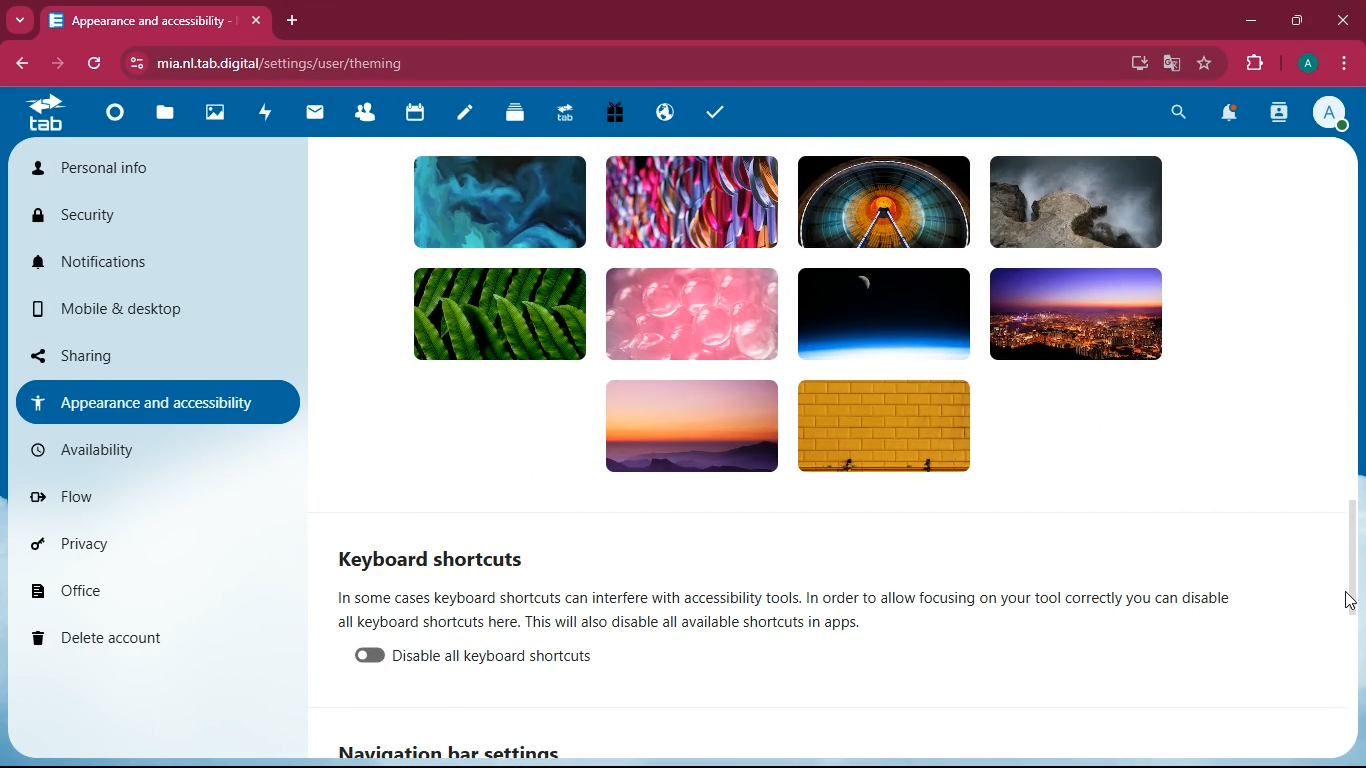  I want to click on scroll bar, so click(1349, 566).